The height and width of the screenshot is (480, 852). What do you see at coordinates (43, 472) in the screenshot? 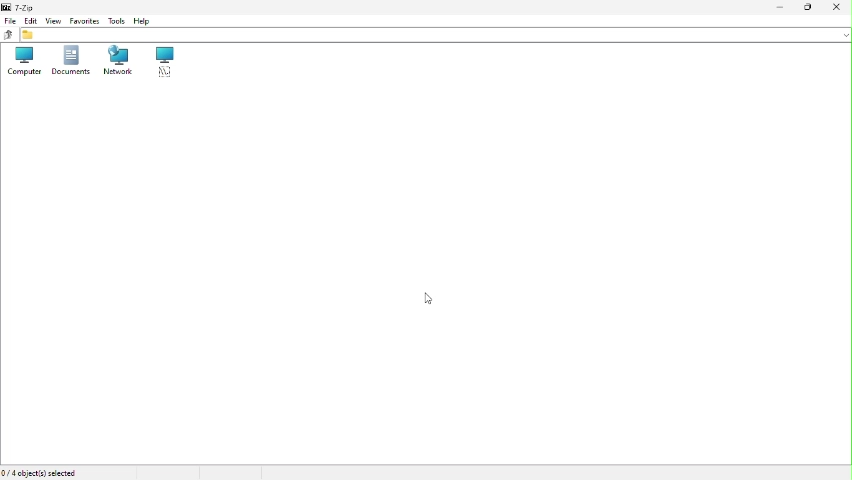
I see `Four objects selected` at bounding box center [43, 472].